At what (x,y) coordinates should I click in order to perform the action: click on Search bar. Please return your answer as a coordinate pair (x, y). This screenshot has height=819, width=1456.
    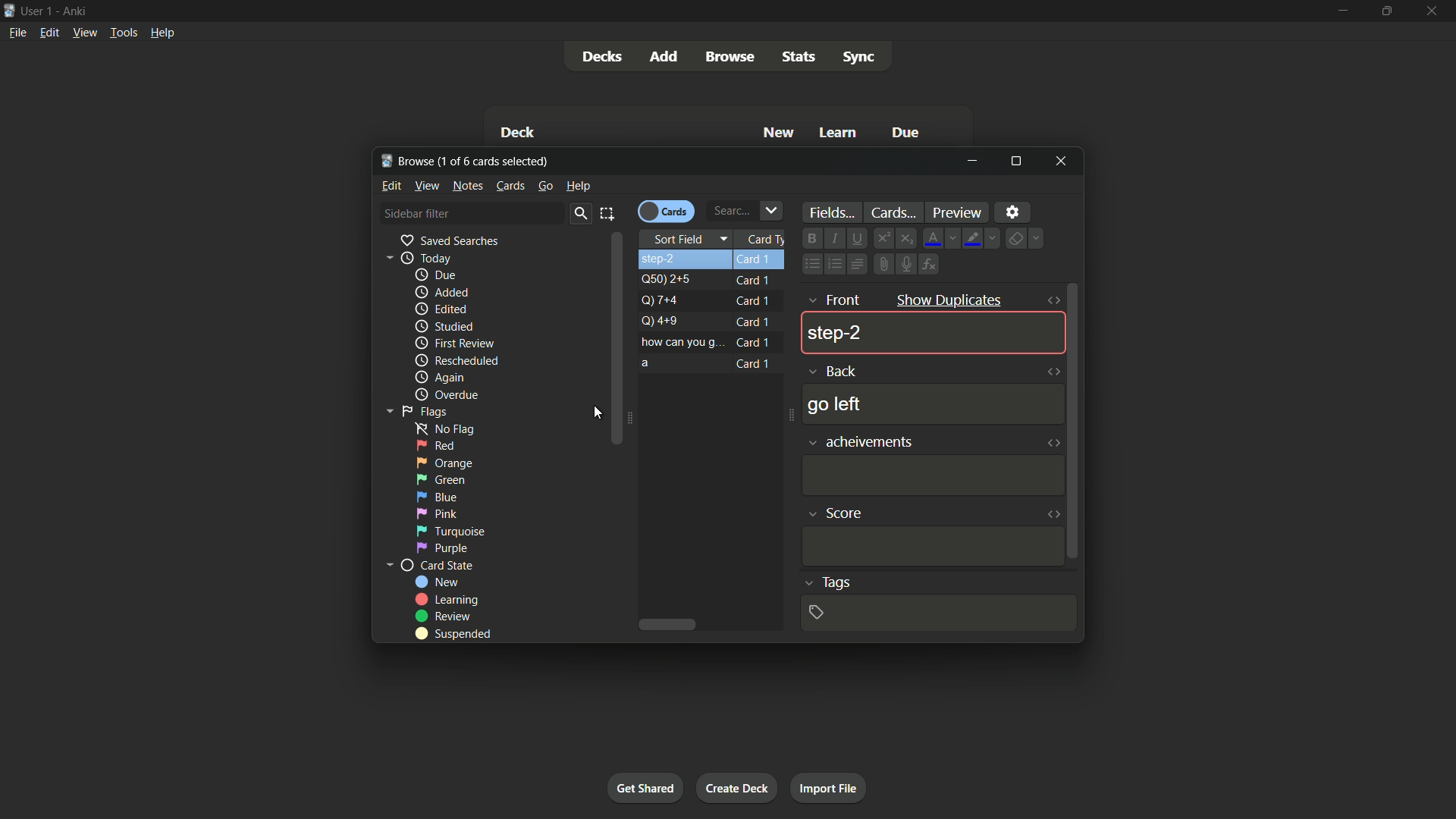
    Looking at the image, I should click on (729, 211).